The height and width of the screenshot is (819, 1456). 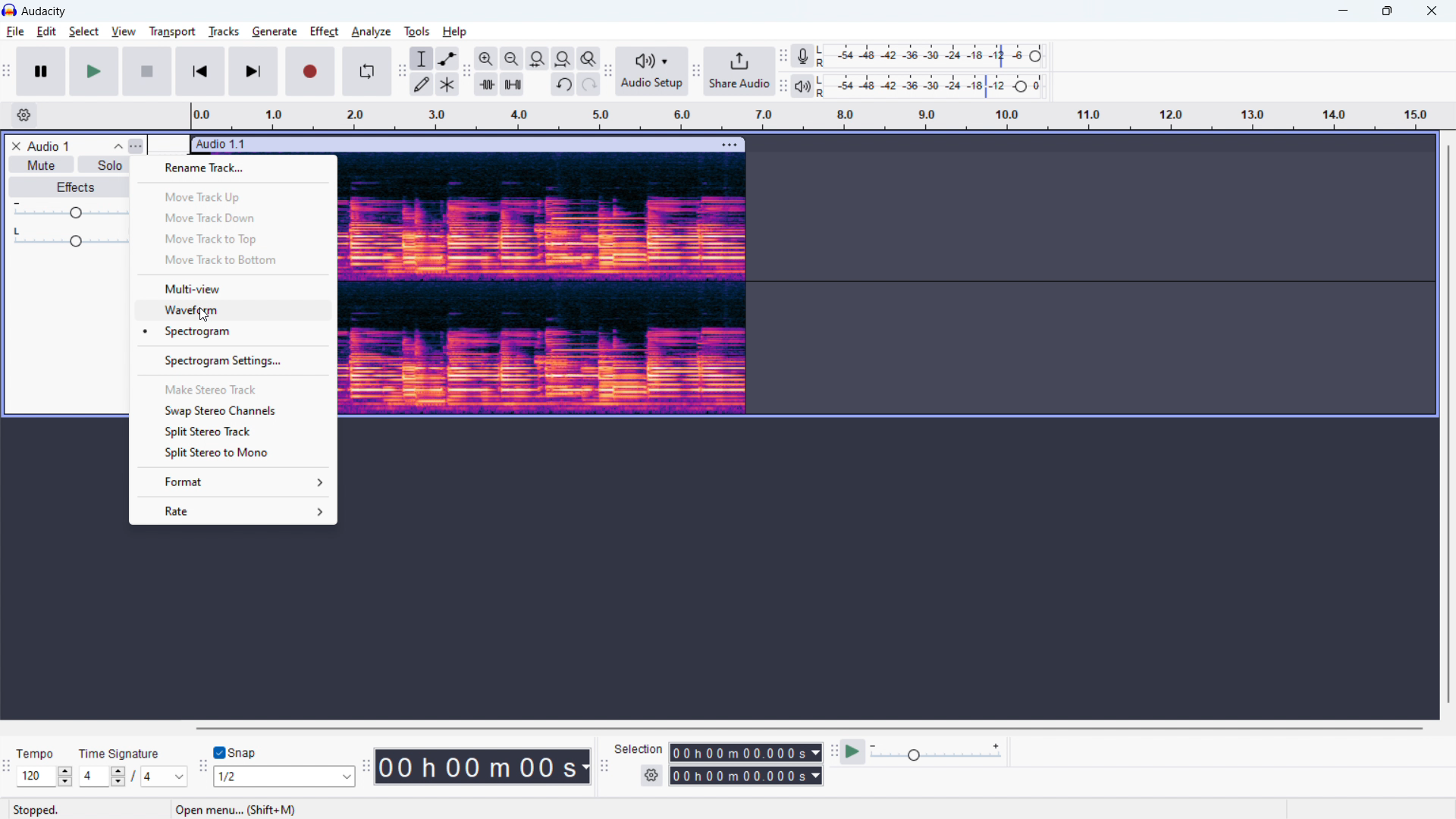 What do you see at coordinates (807, 84) in the screenshot?
I see `playback meter` at bounding box center [807, 84].